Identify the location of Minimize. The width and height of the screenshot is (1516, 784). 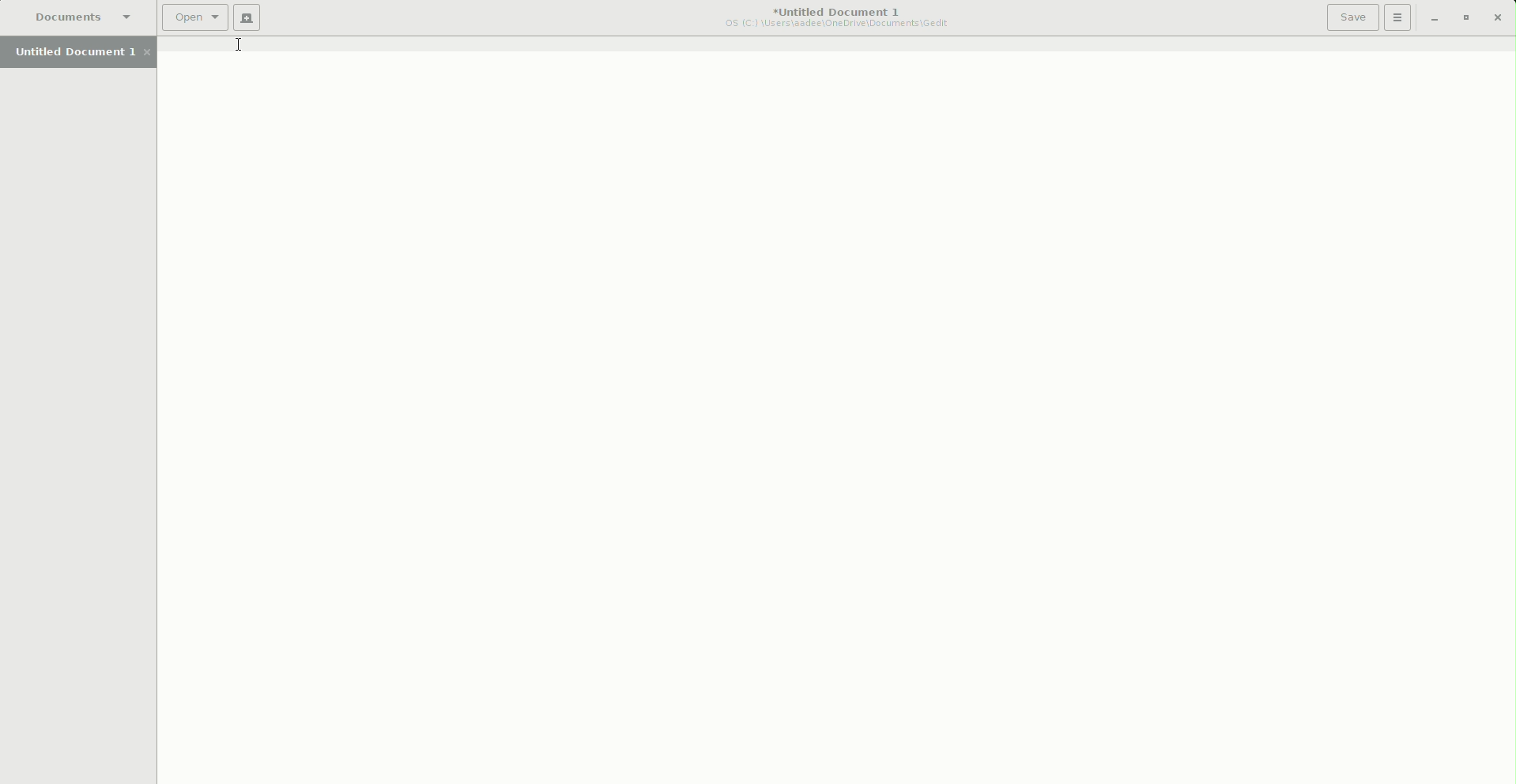
(1431, 17).